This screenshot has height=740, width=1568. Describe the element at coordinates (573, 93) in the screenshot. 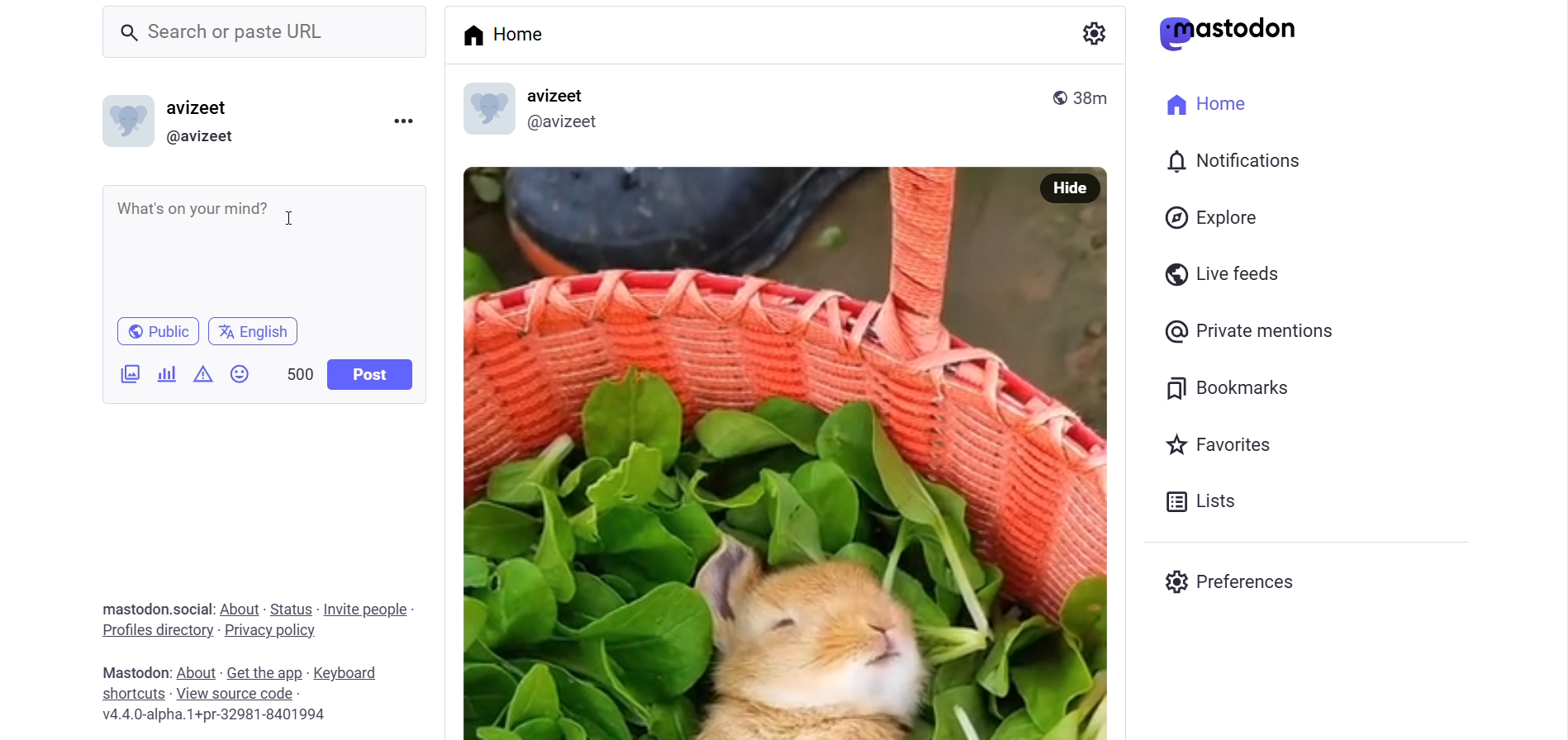

I see `avizeet` at that location.